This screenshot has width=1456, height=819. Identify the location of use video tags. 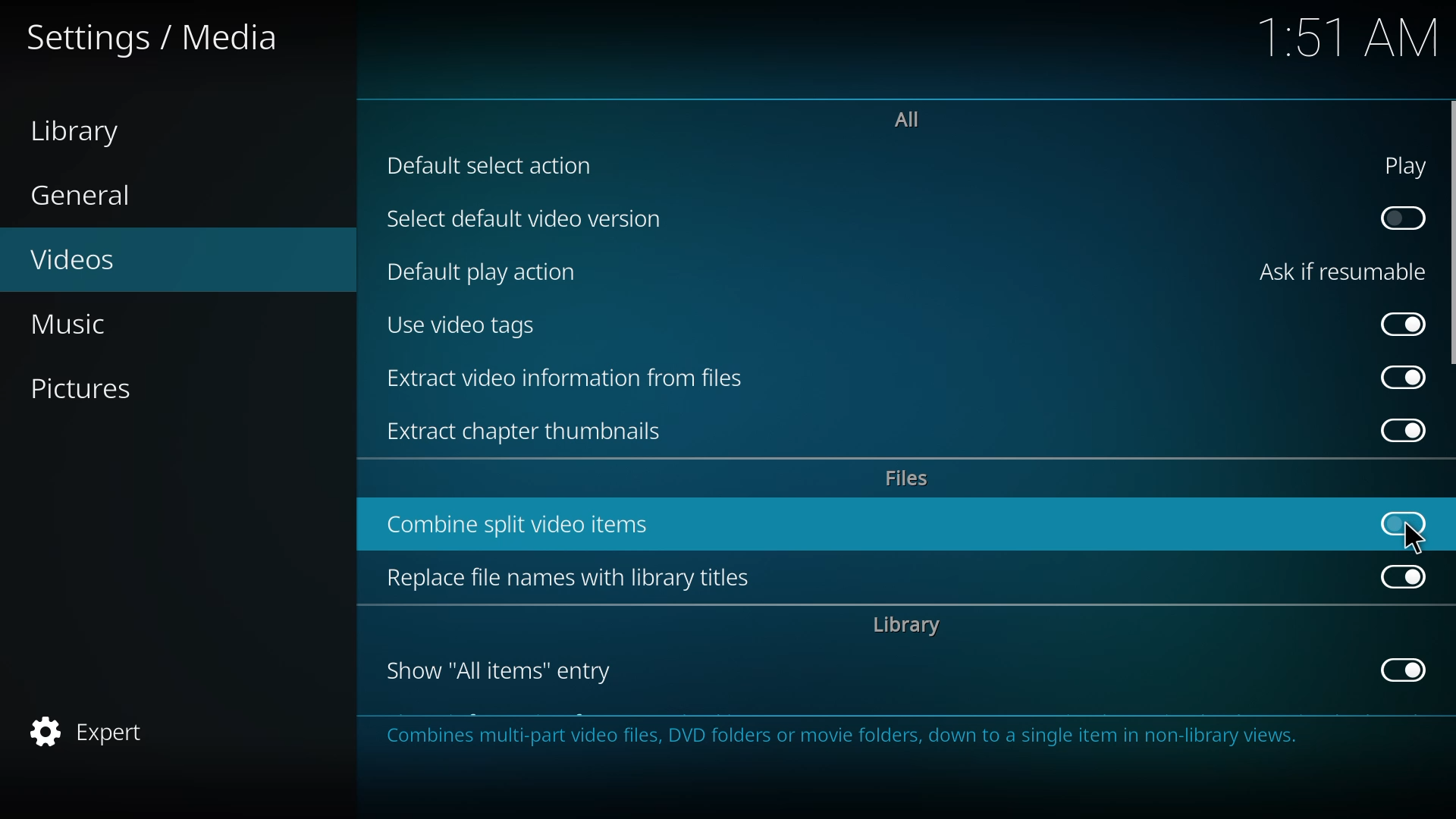
(465, 323).